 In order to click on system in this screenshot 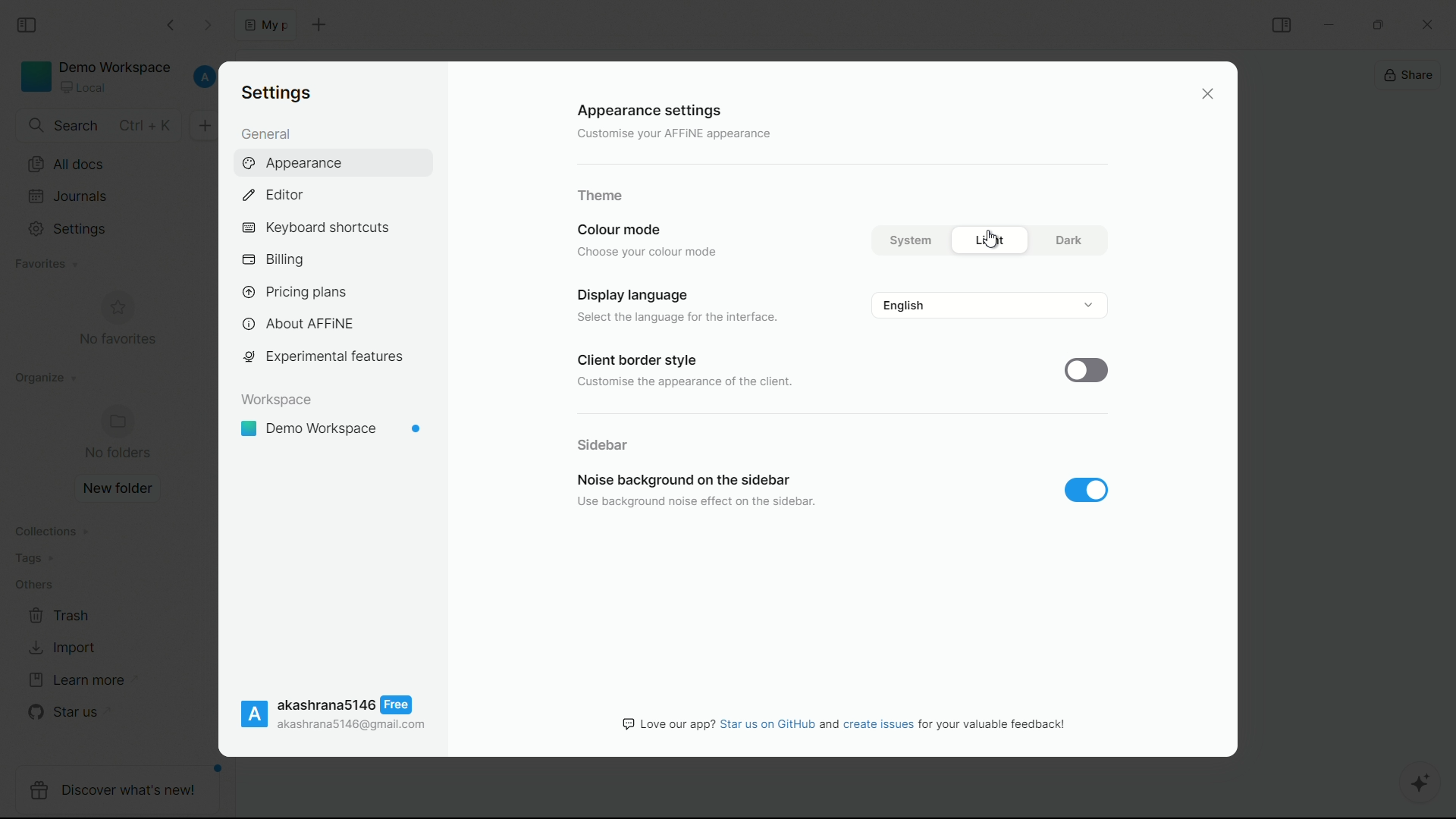, I will do `click(908, 241)`.